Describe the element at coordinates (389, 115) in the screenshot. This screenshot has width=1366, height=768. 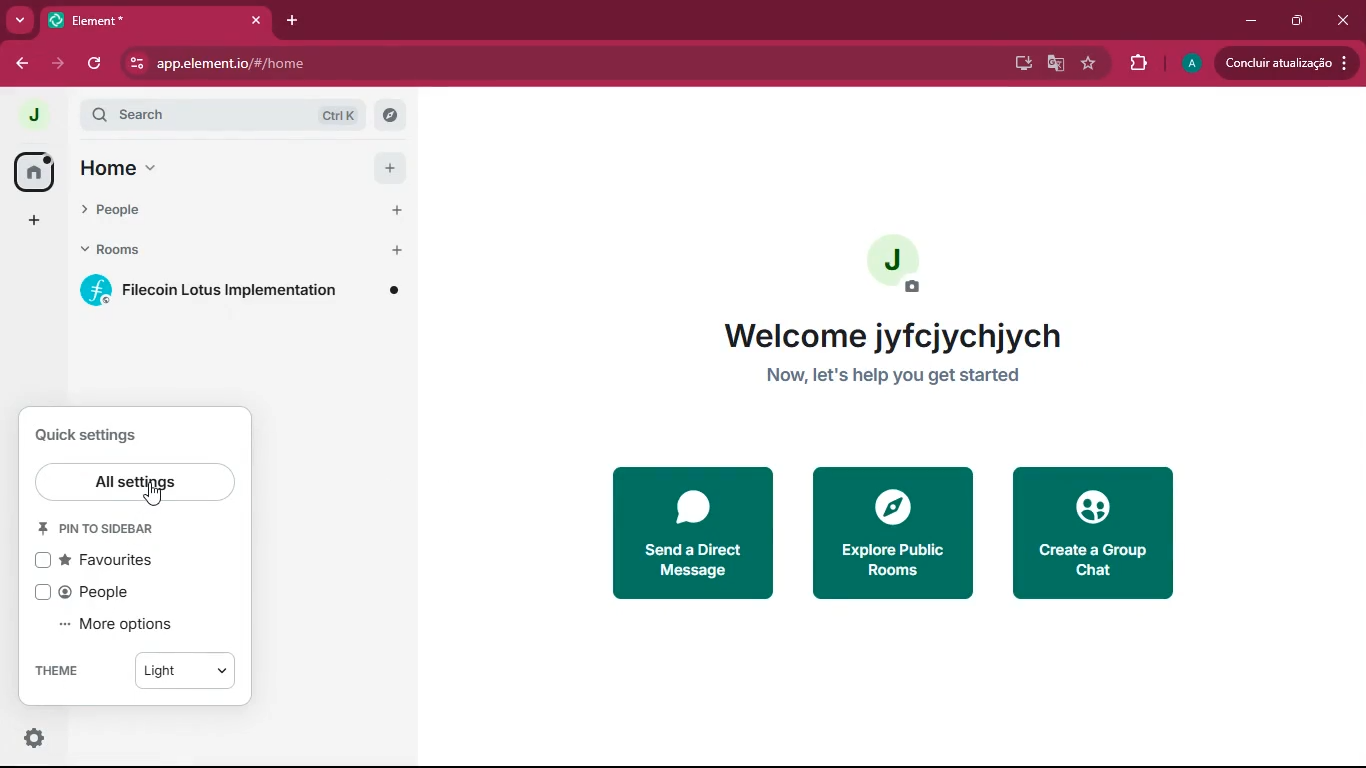
I see `explore` at that location.